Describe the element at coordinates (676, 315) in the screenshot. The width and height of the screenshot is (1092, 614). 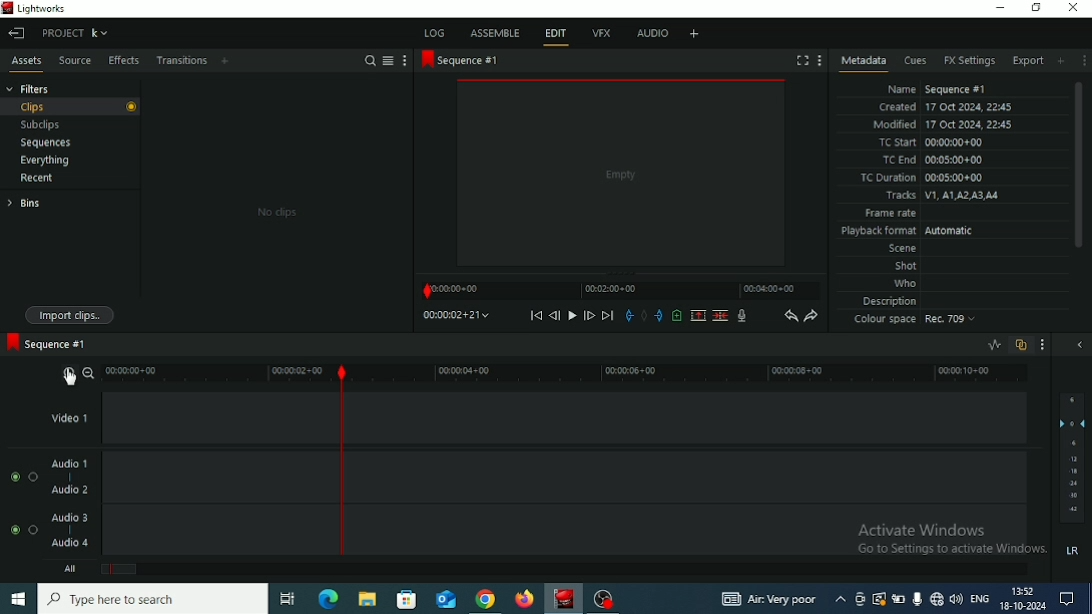
I see `Add a cue at the current position` at that location.